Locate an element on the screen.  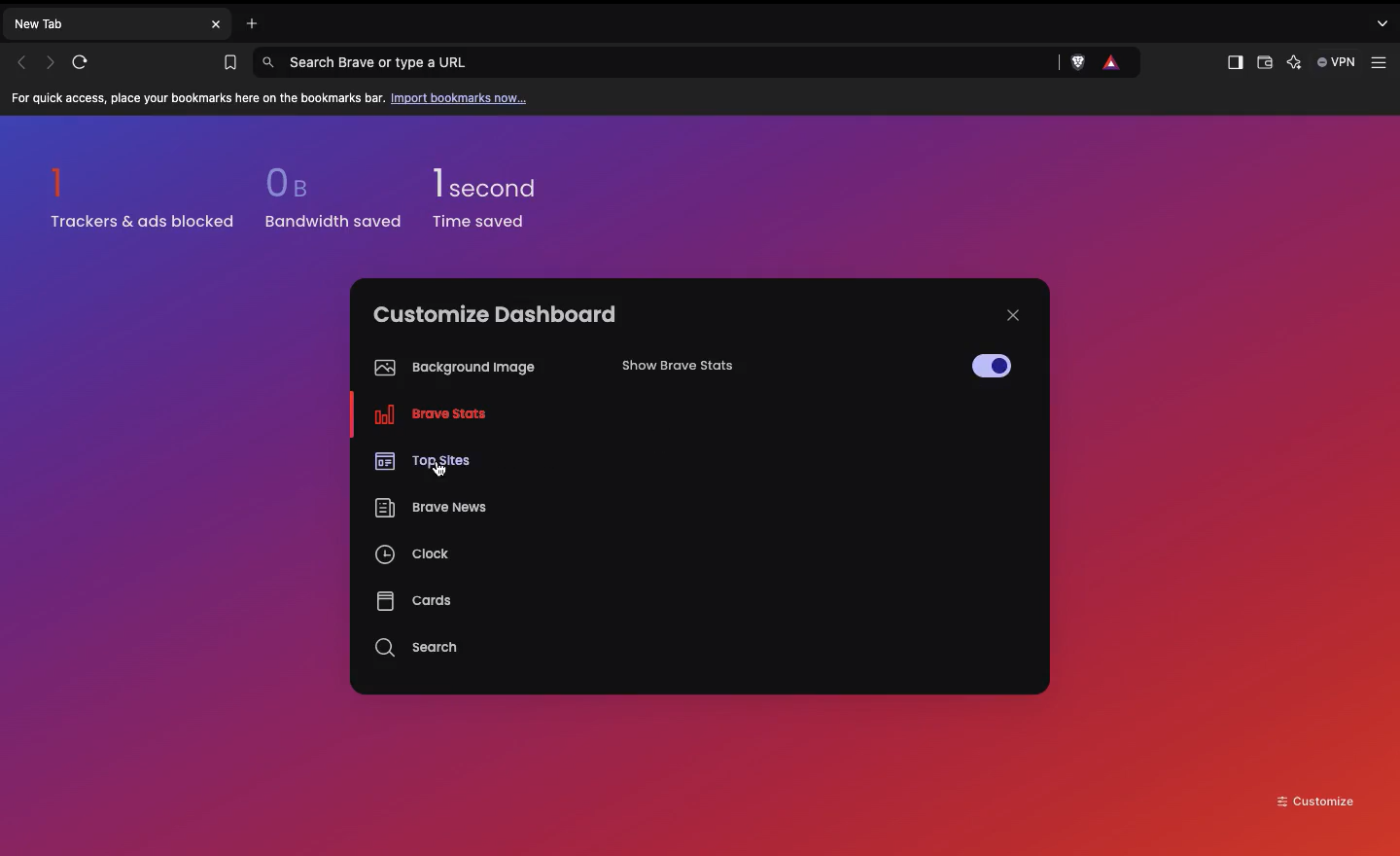
cursor is located at coordinates (437, 470).